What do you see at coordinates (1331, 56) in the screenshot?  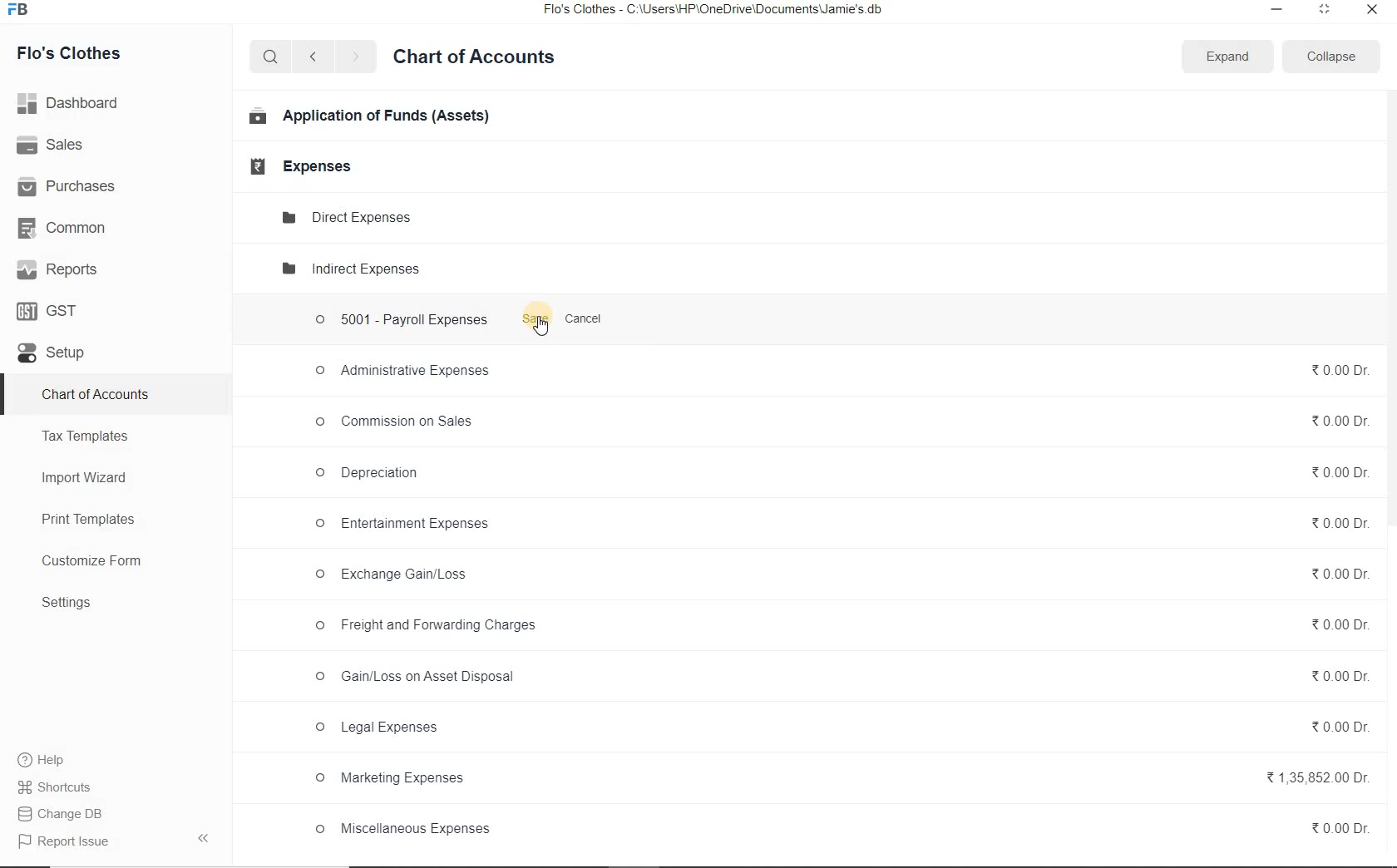 I see `Collapse` at bounding box center [1331, 56].